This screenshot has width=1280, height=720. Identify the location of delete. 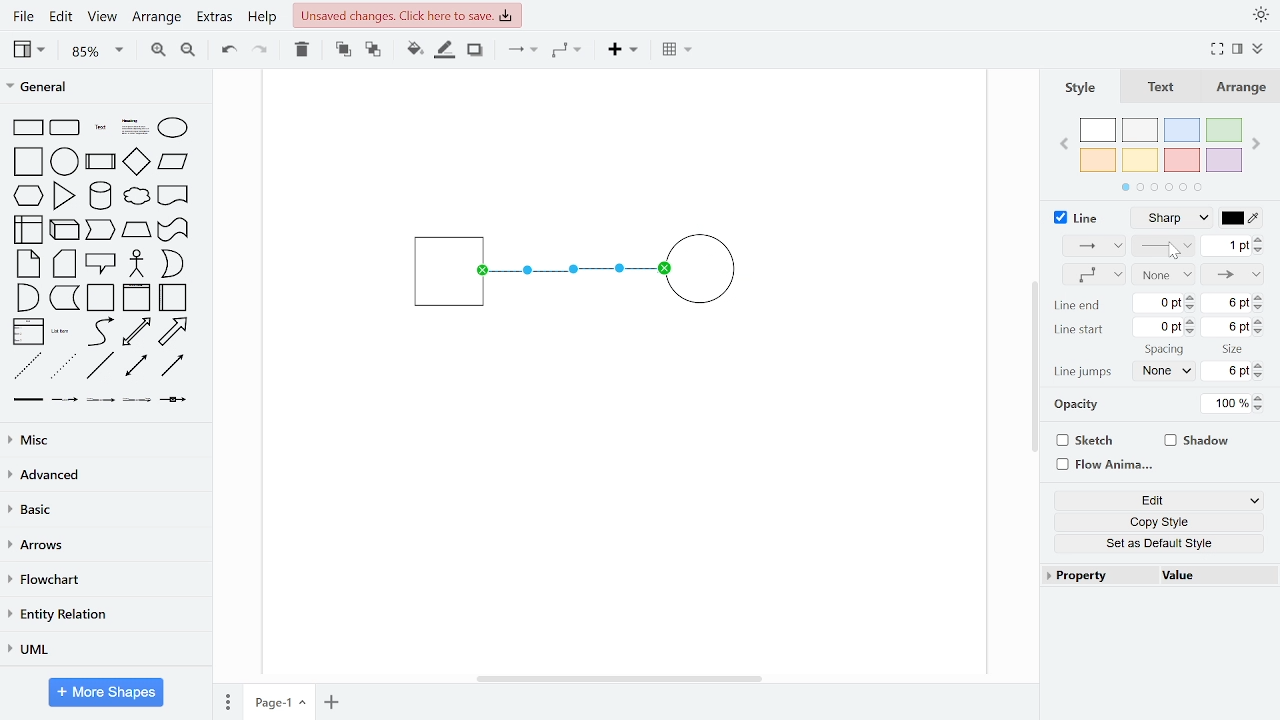
(302, 49).